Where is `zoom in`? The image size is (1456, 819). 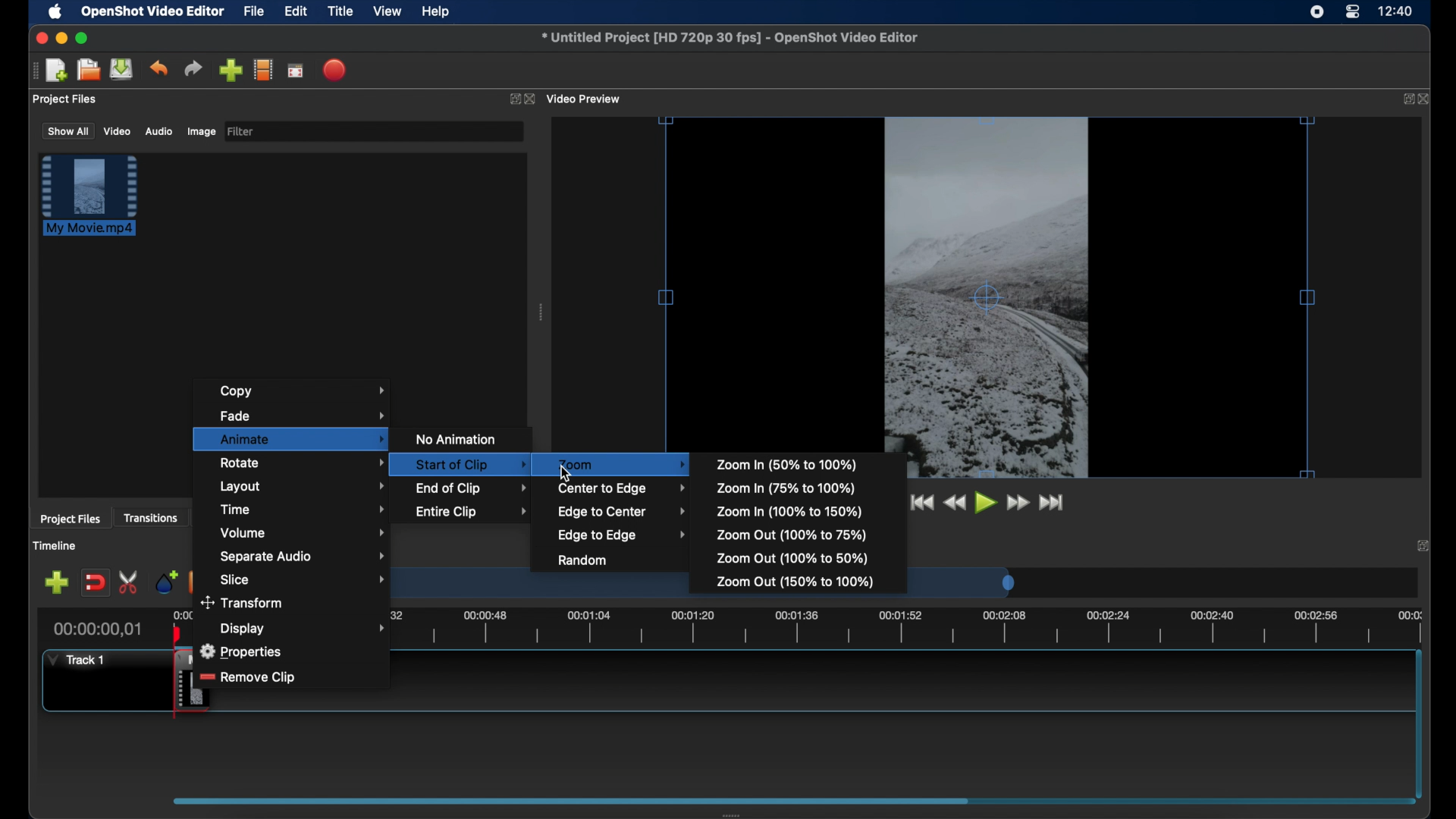 zoom in is located at coordinates (790, 511).